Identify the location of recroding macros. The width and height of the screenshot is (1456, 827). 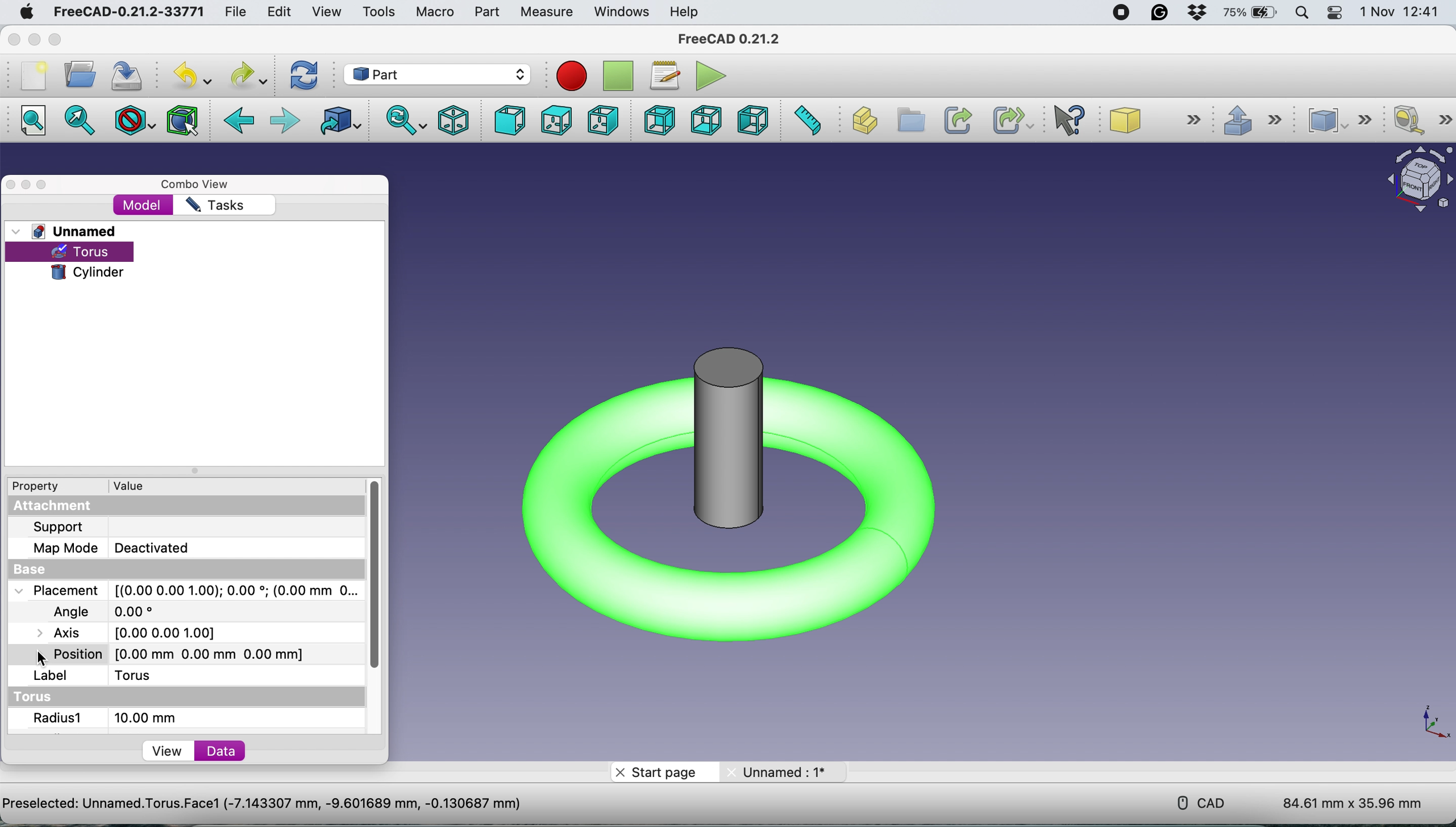
(568, 75).